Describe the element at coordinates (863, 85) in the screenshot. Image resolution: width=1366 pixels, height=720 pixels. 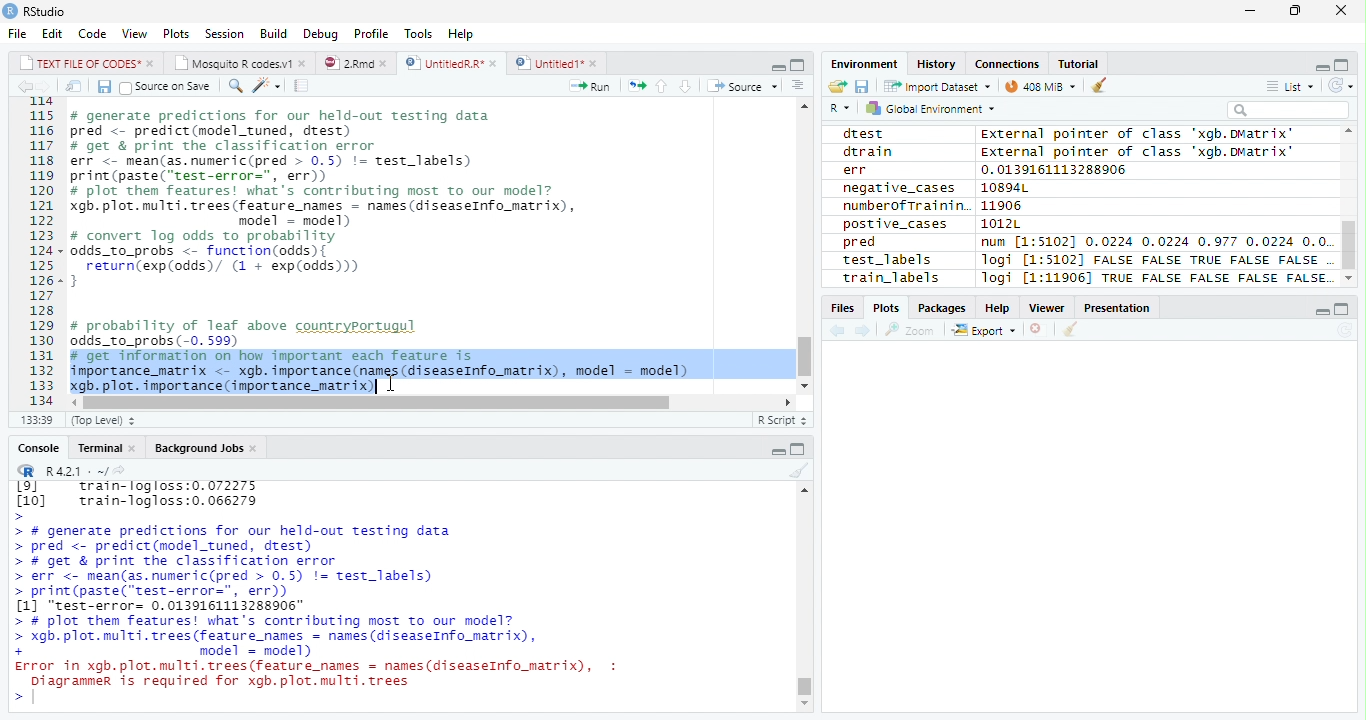
I see `Save` at that location.